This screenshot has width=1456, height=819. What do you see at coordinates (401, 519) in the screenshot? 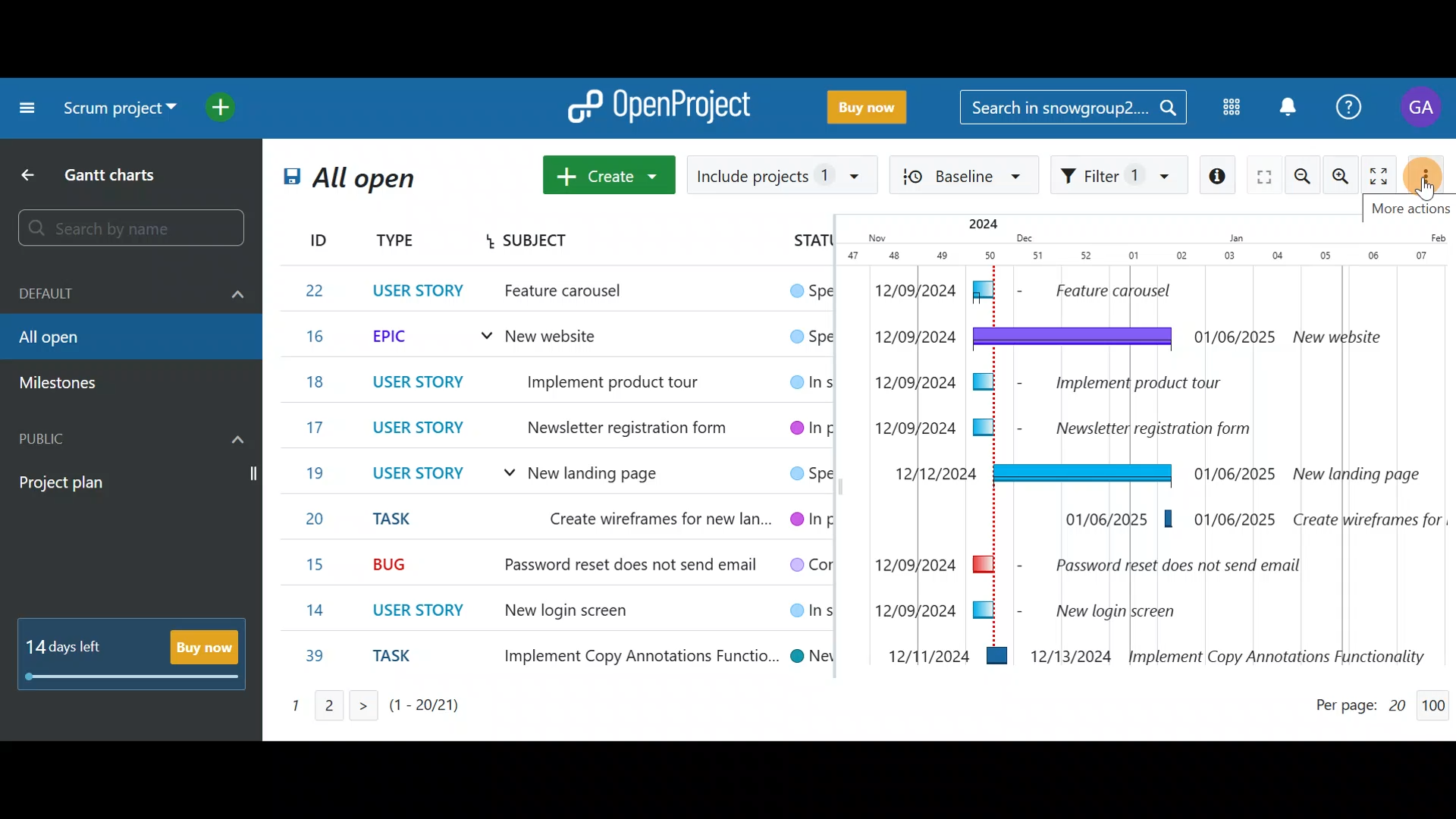
I see `TASK` at bounding box center [401, 519].